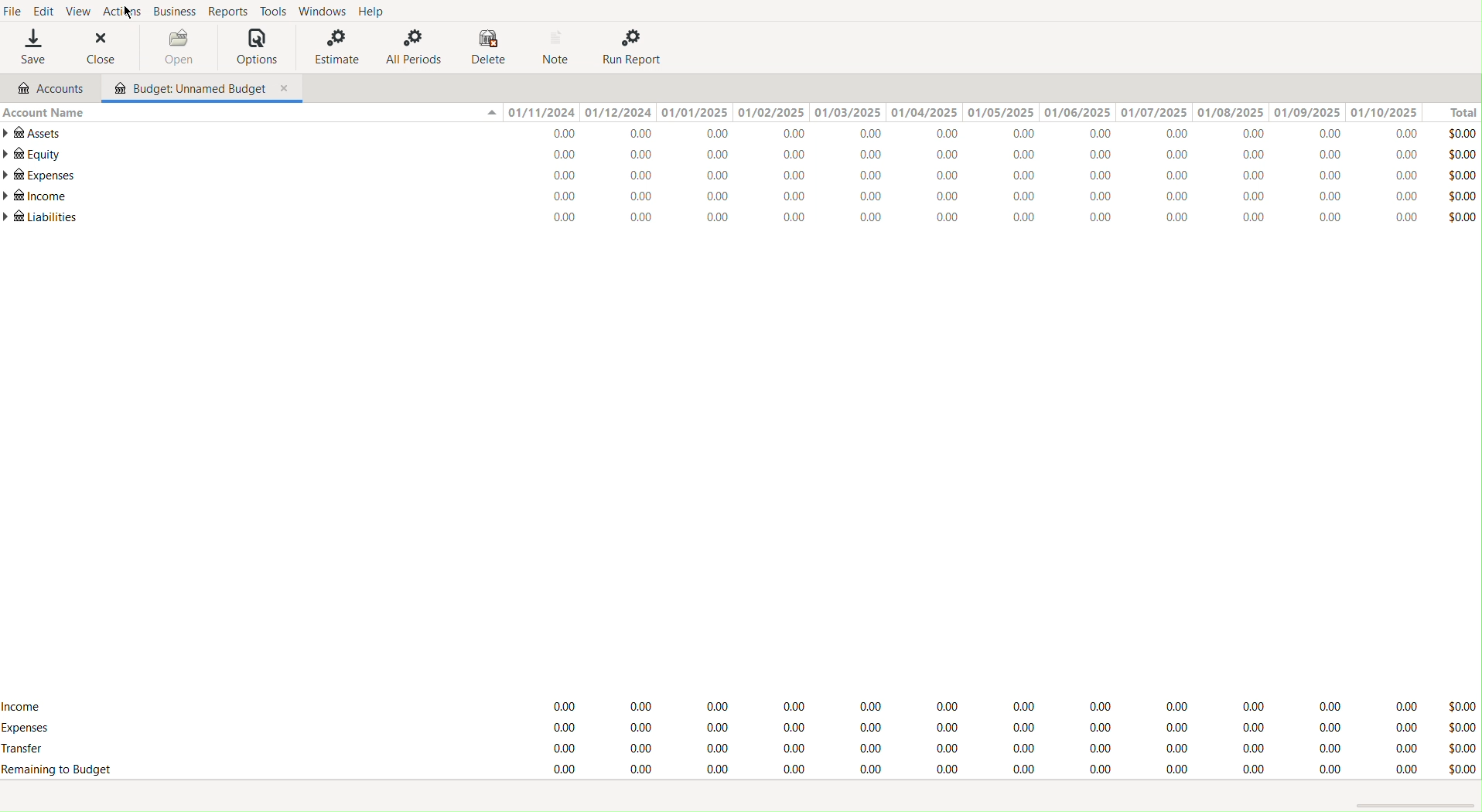 The width and height of the screenshot is (1482, 812). Describe the element at coordinates (1455, 111) in the screenshot. I see `Total` at that location.